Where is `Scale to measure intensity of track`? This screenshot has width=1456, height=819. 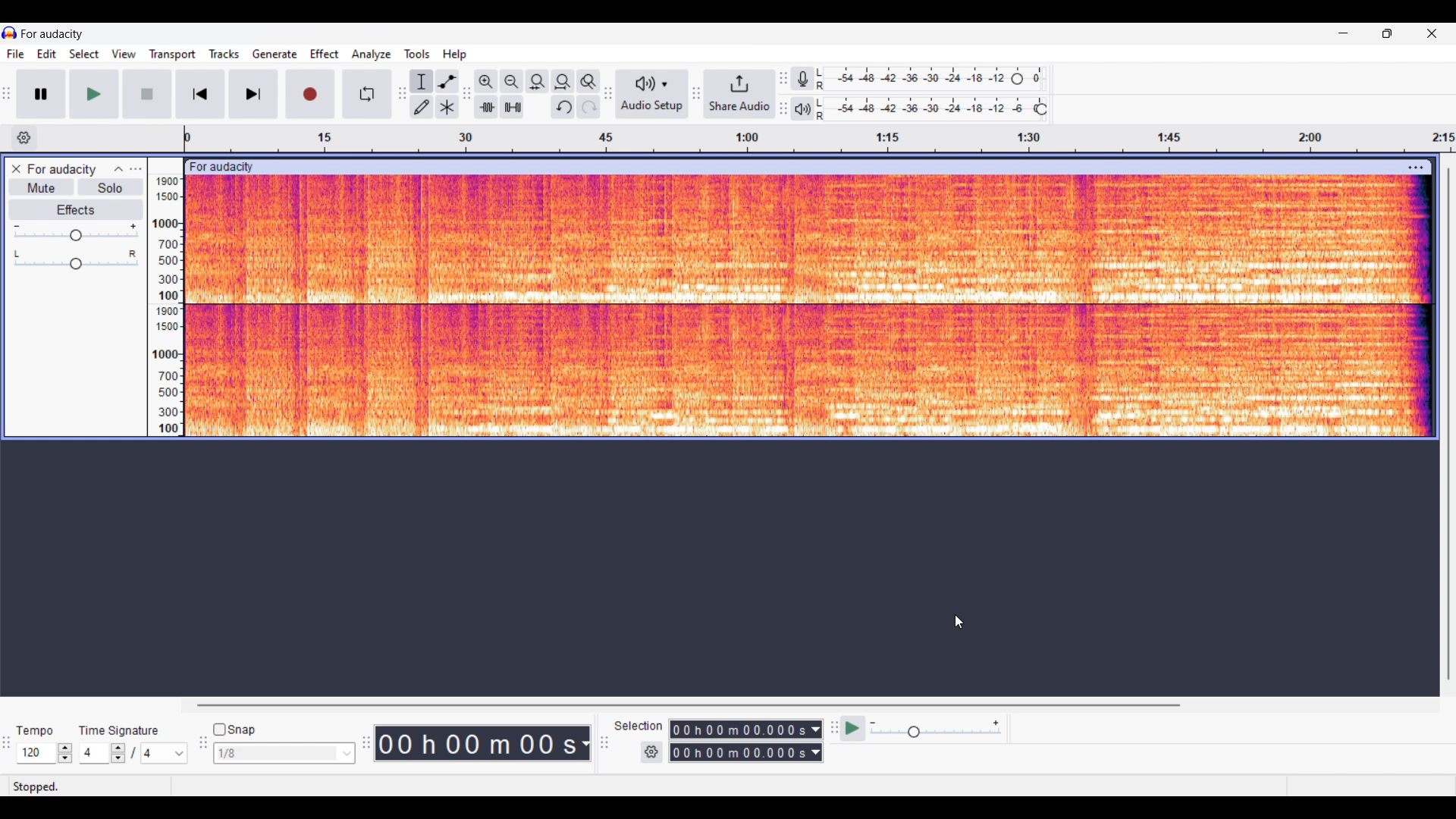 Scale to measure intensity of track is located at coordinates (168, 306).